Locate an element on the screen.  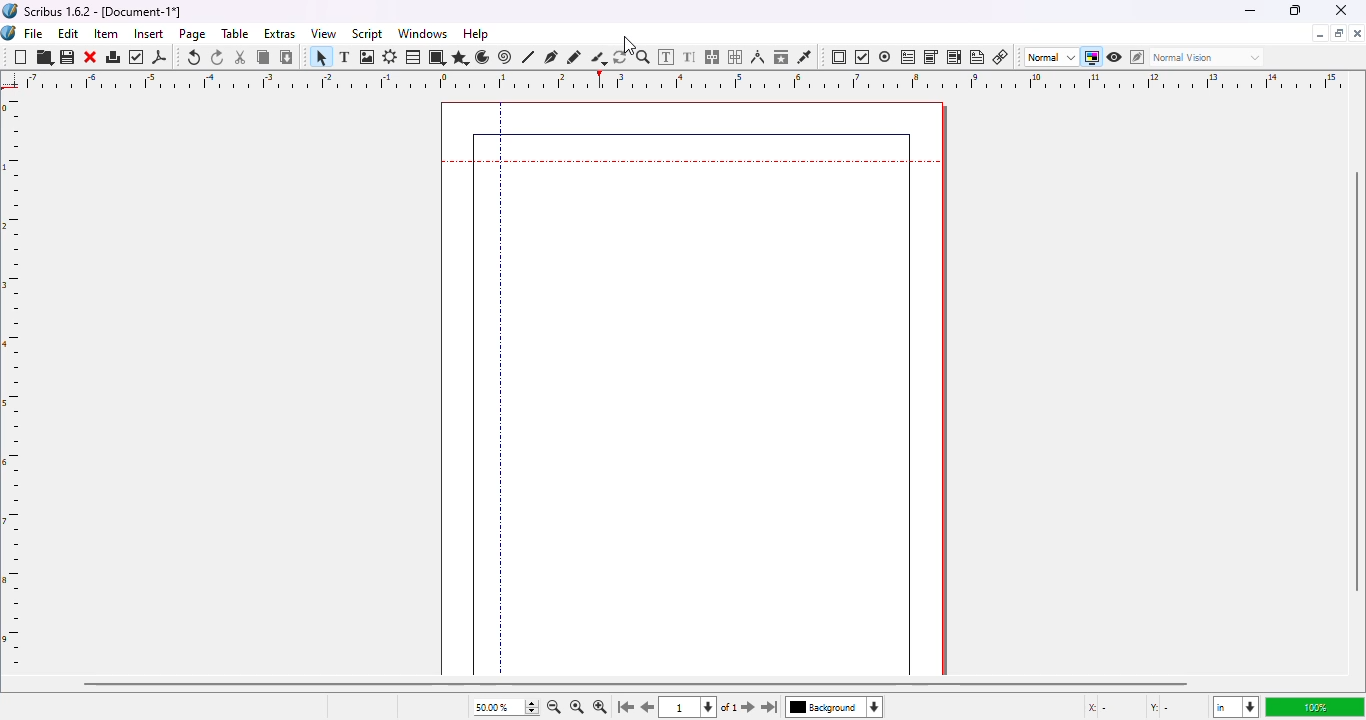
spiral is located at coordinates (505, 57).